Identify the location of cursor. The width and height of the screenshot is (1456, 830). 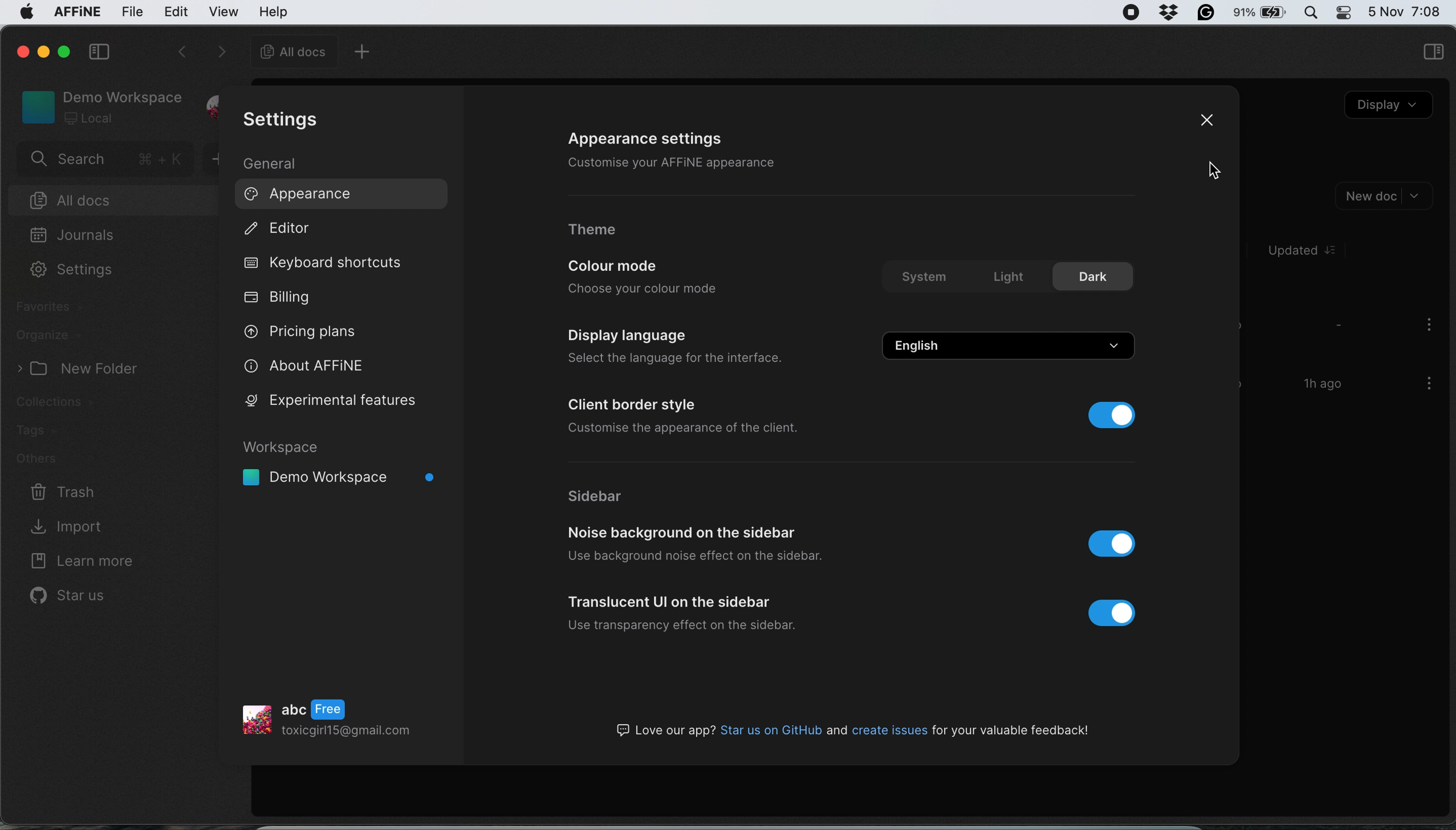
(1215, 168).